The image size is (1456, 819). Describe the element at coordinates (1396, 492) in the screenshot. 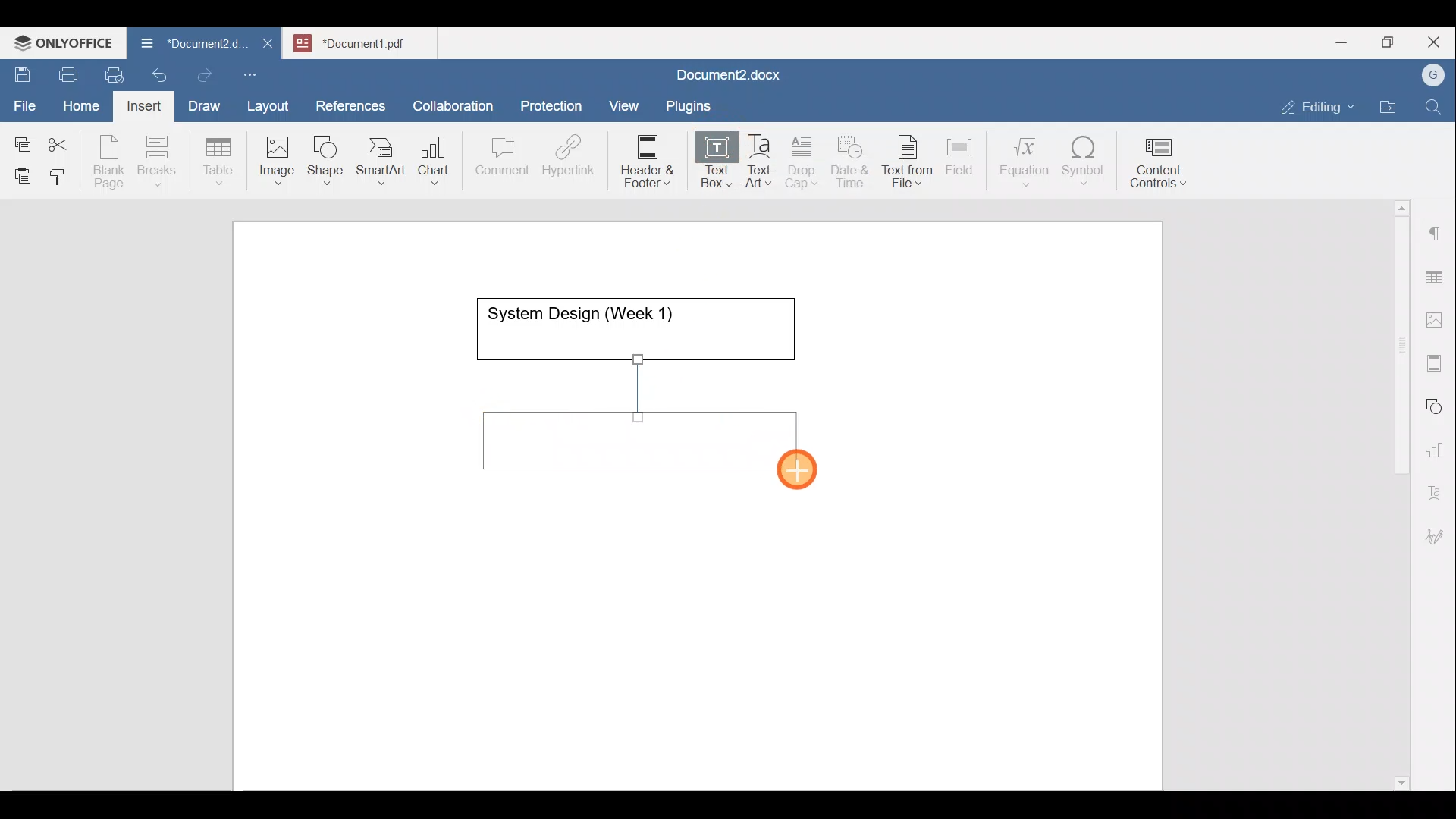

I see `Scroll bar` at that location.